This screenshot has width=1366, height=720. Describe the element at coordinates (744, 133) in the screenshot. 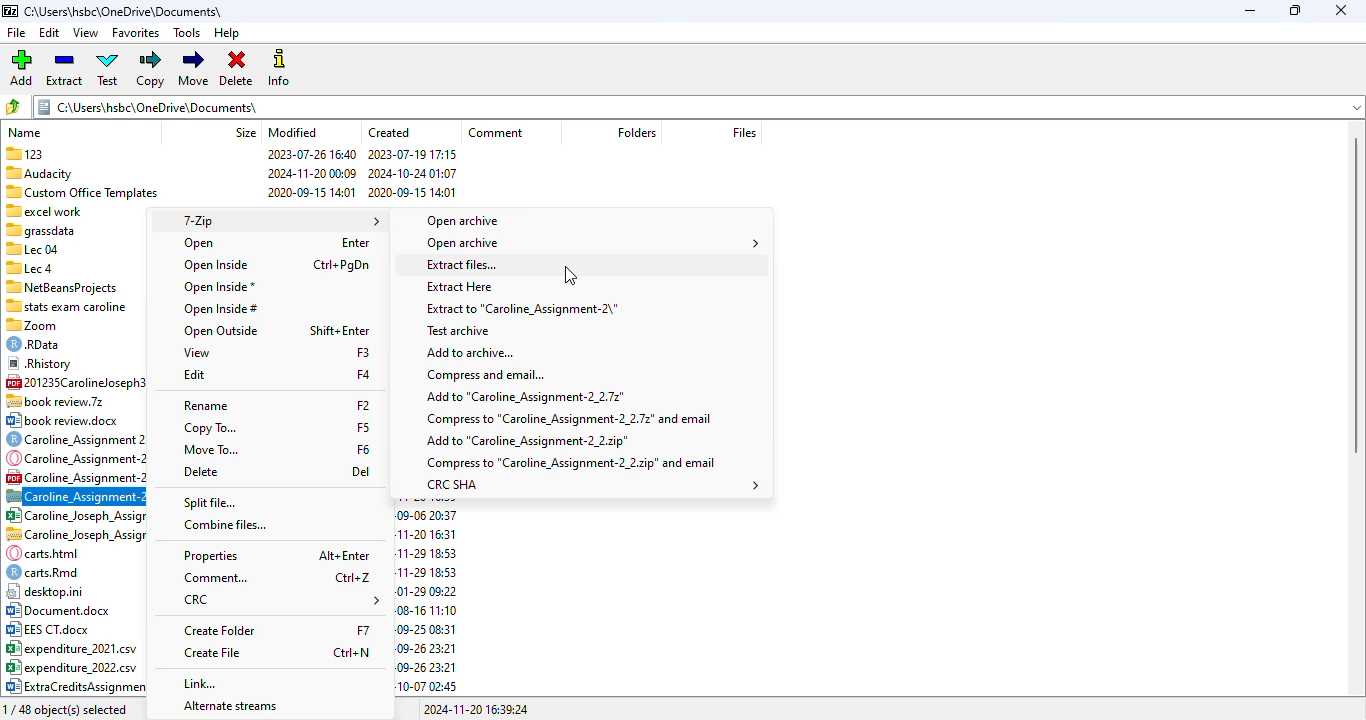

I see `files` at that location.